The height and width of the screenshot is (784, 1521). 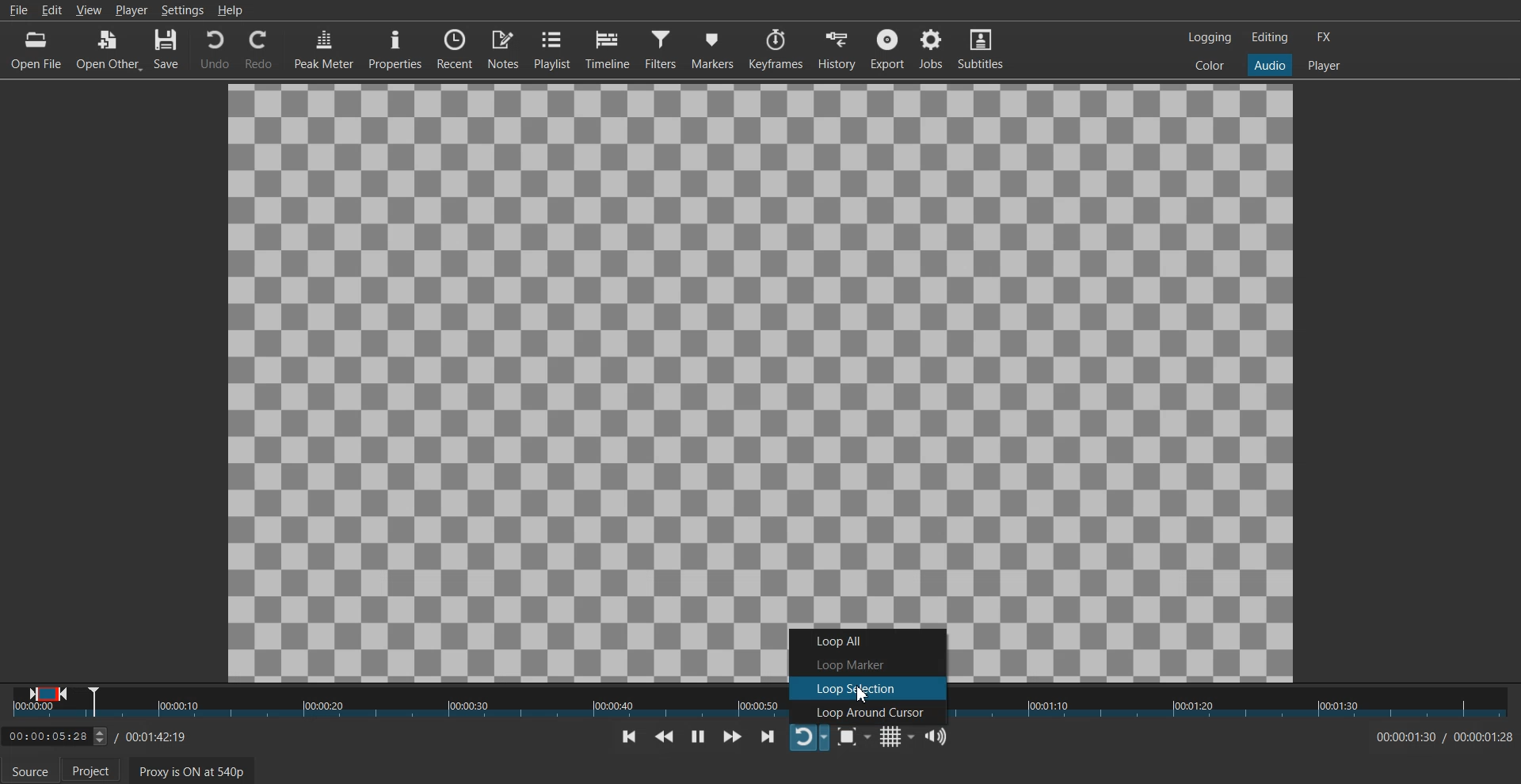 What do you see at coordinates (809, 737) in the screenshot?
I see `Toggle player looping` at bounding box center [809, 737].